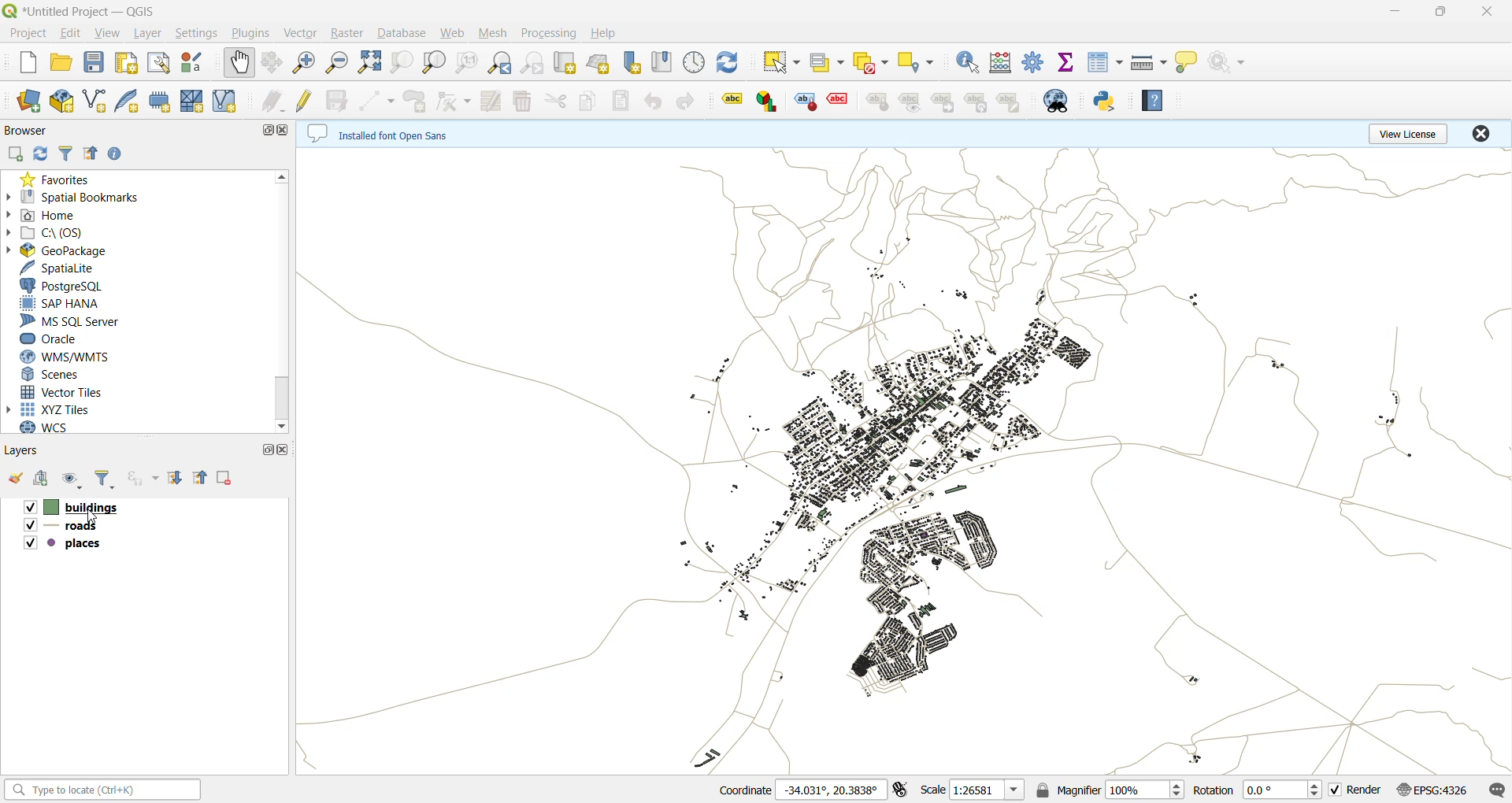 The image size is (1512, 803). What do you see at coordinates (974, 790) in the screenshot?
I see `scale` at bounding box center [974, 790].